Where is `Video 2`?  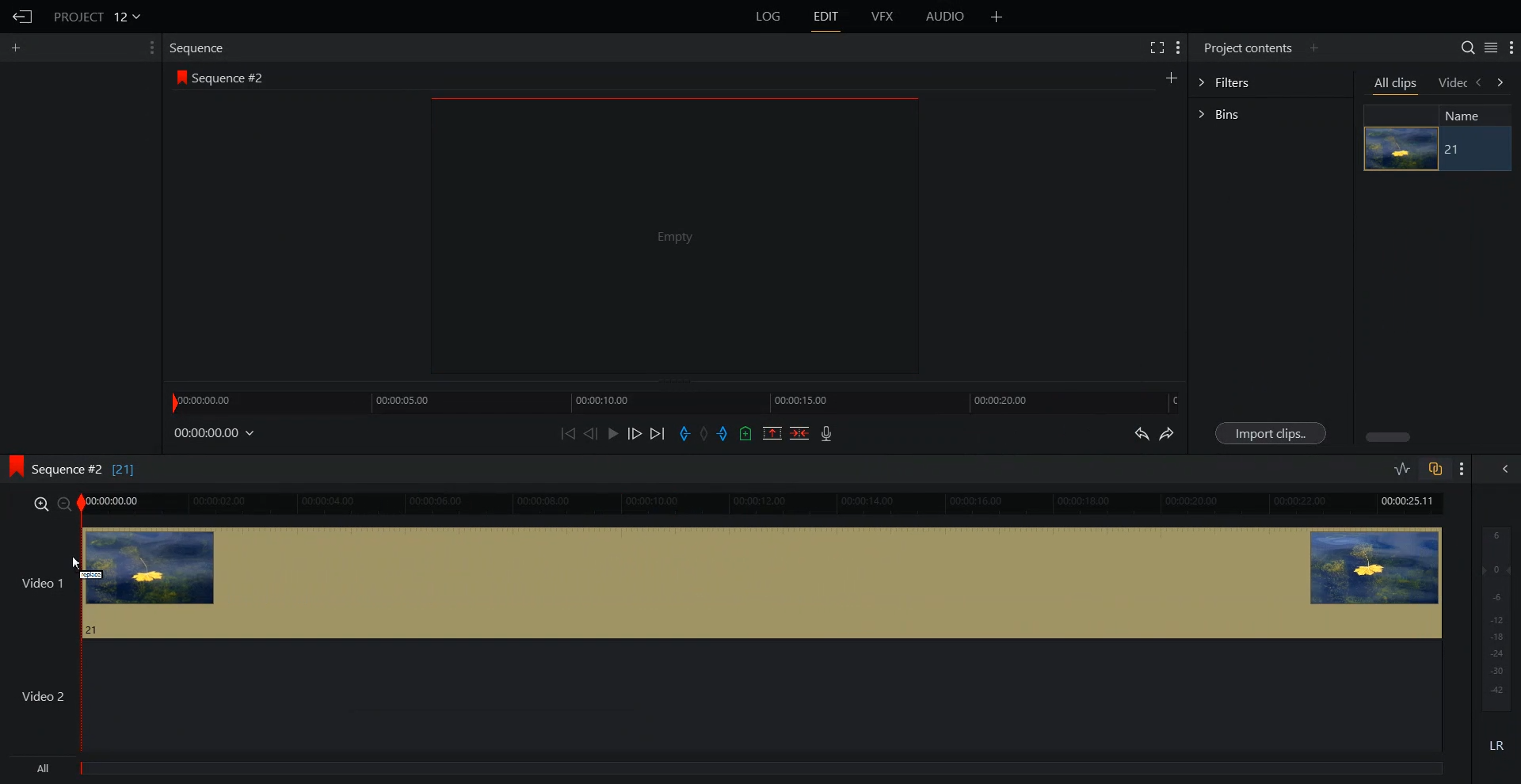
Video 2 is located at coordinates (760, 696).